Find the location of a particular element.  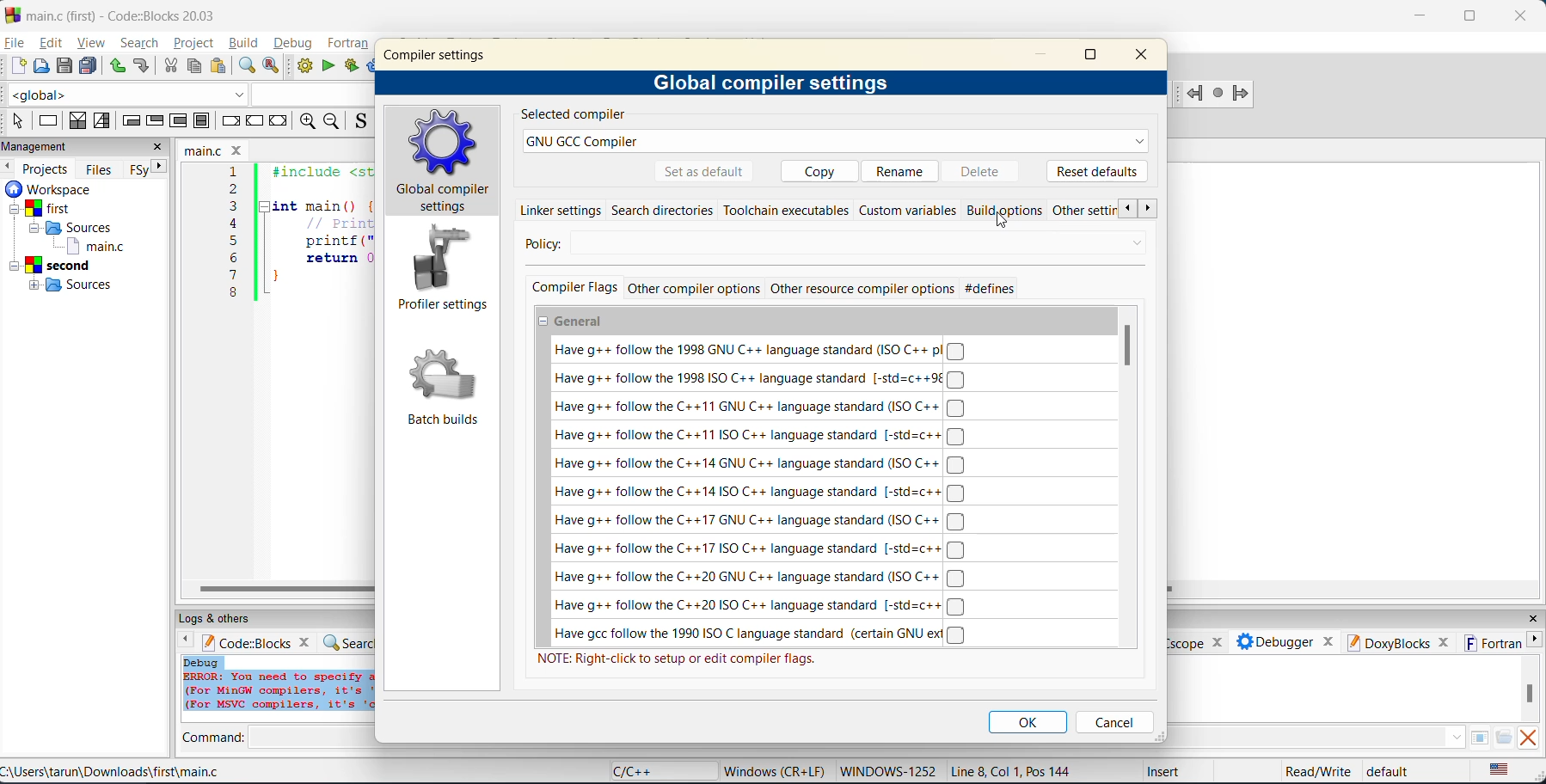

#defines is located at coordinates (991, 289).